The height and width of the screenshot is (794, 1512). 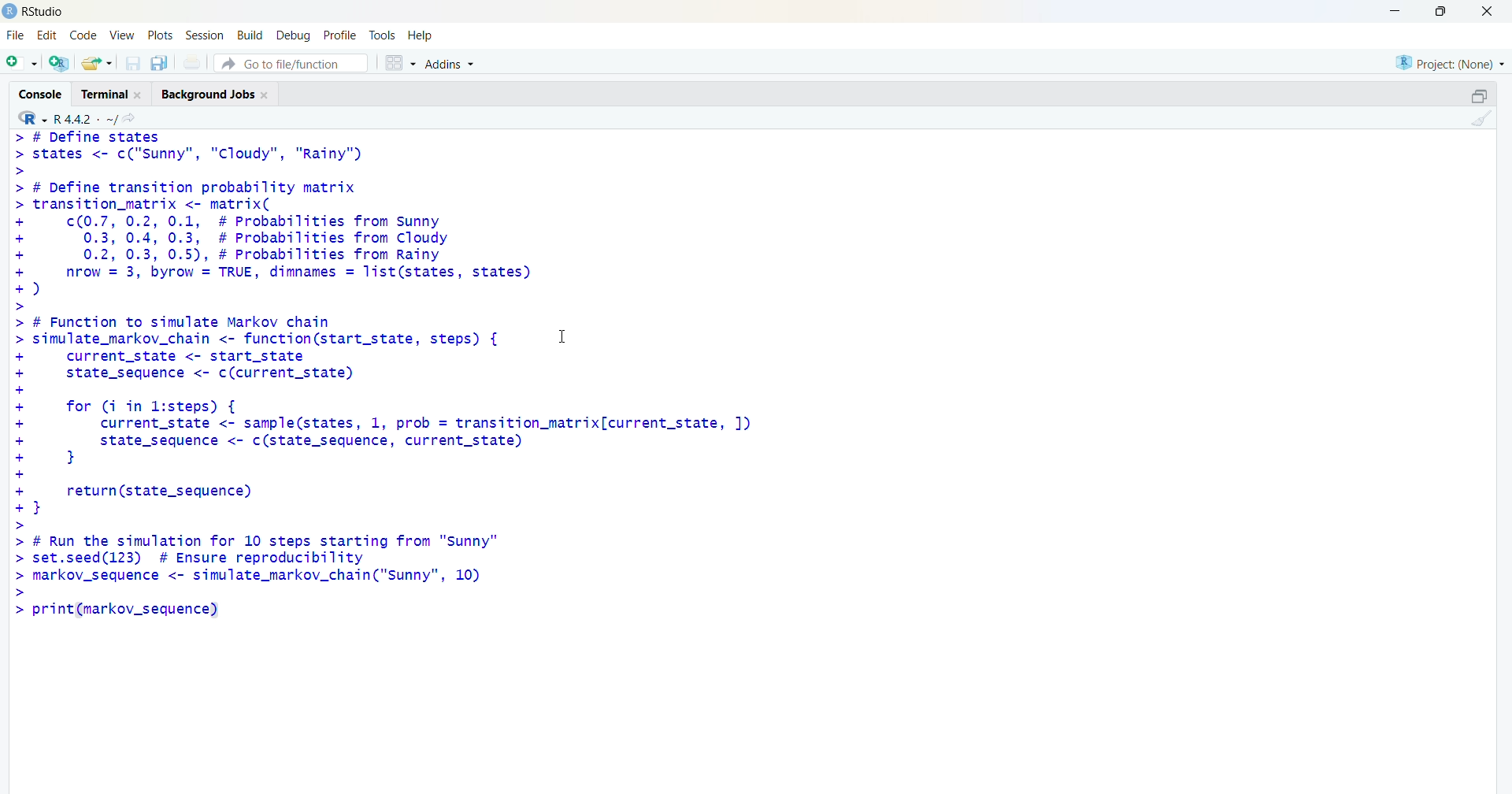 What do you see at coordinates (1448, 61) in the screenshot?
I see `project (None)` at bounding box center [1448, 61].